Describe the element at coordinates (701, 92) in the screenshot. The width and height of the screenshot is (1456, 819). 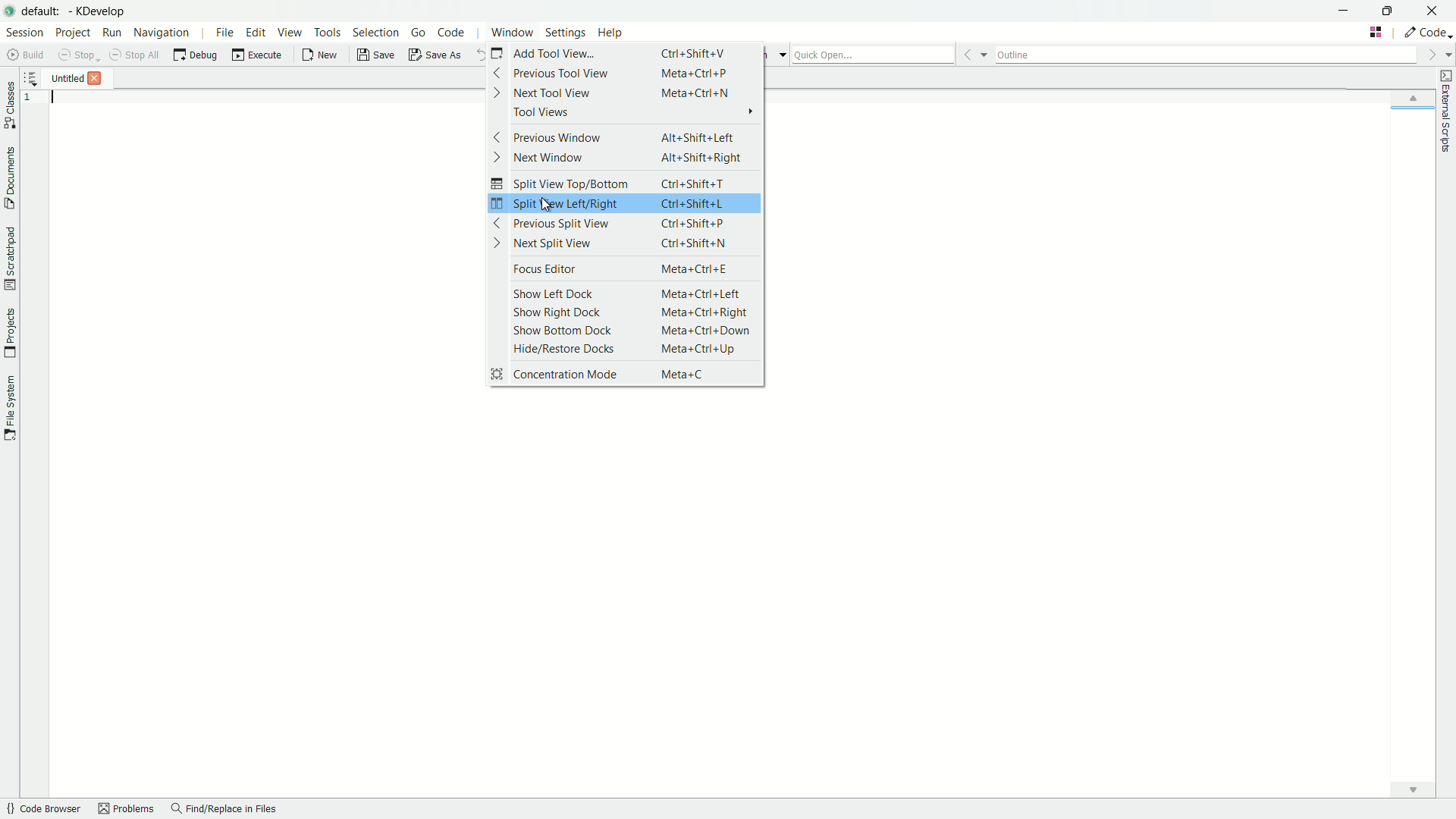
I see `Meta+Ctrl+N` at that location.